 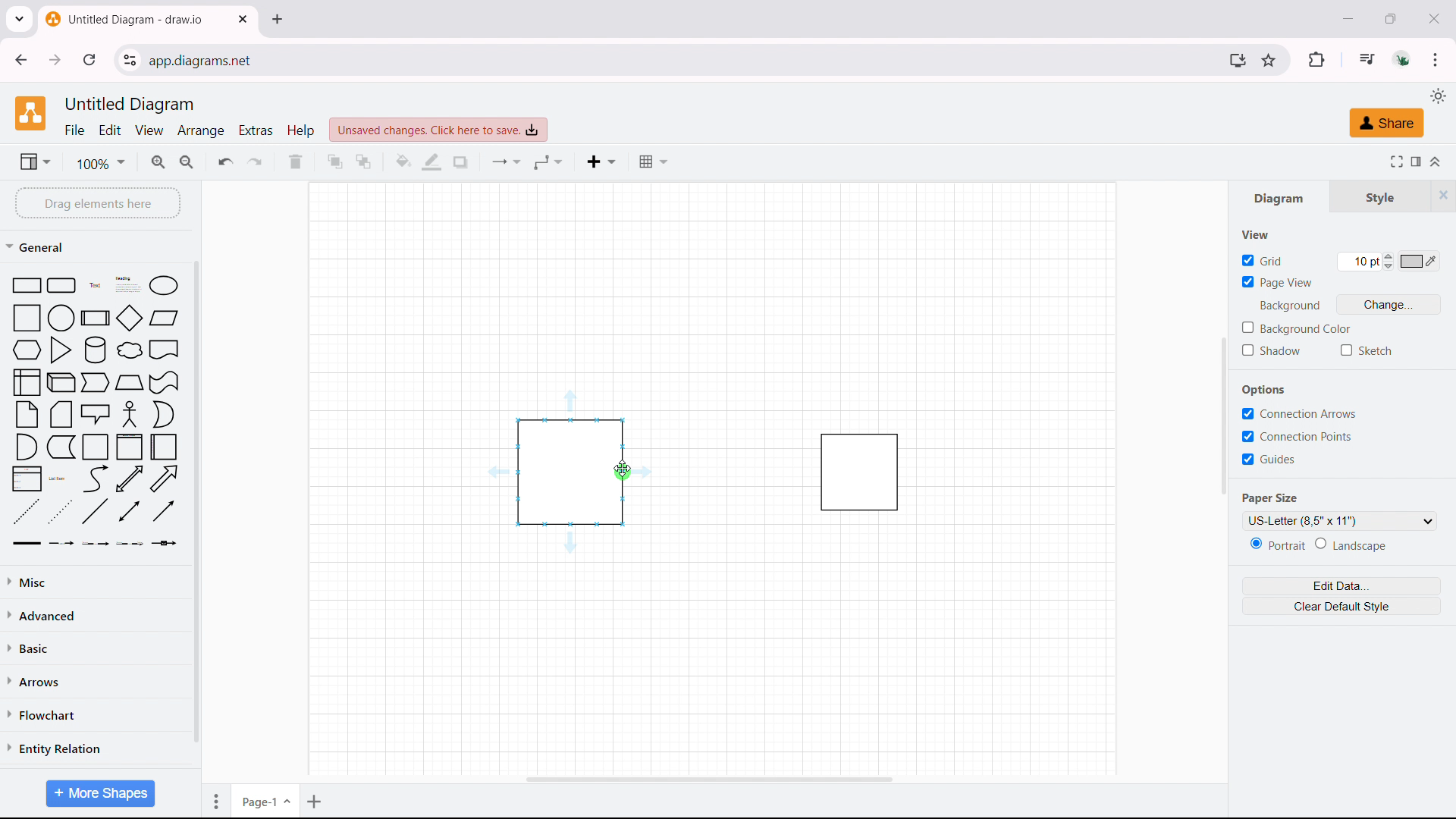 What do you see at coordinates (243, 19) in the screenshot?
I see `close tab` at bounding box center [243, 19].